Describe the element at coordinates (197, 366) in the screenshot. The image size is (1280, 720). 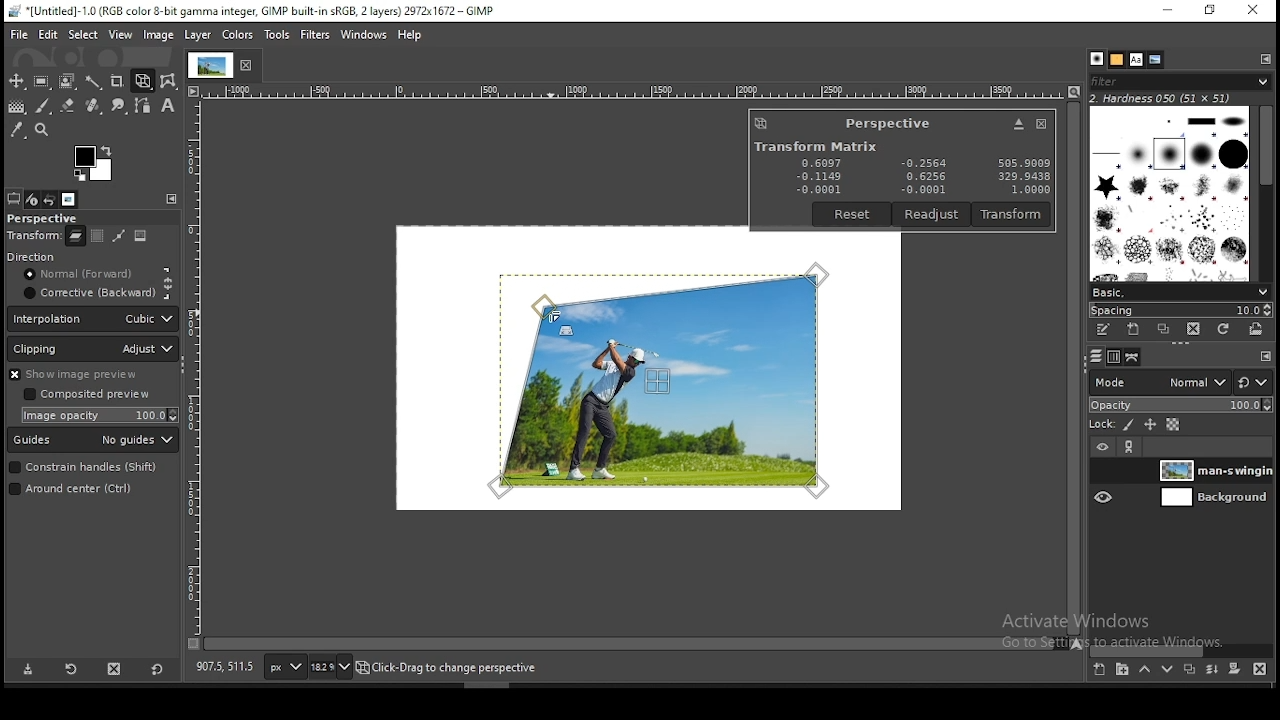
I see `vertical scale` at that location.